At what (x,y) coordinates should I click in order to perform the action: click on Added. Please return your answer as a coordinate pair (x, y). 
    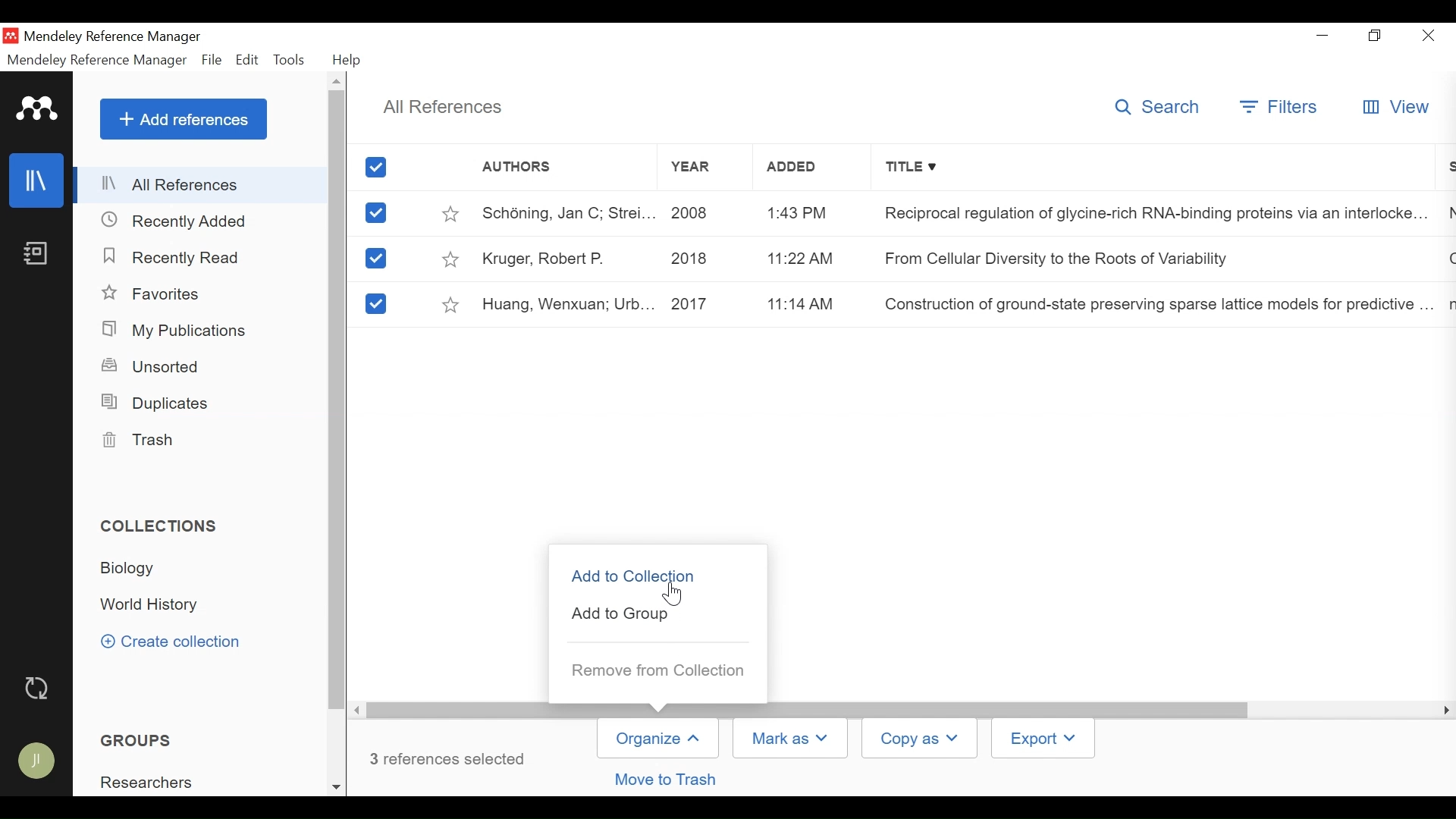
    Looking at the image, I should click on (803, 170).